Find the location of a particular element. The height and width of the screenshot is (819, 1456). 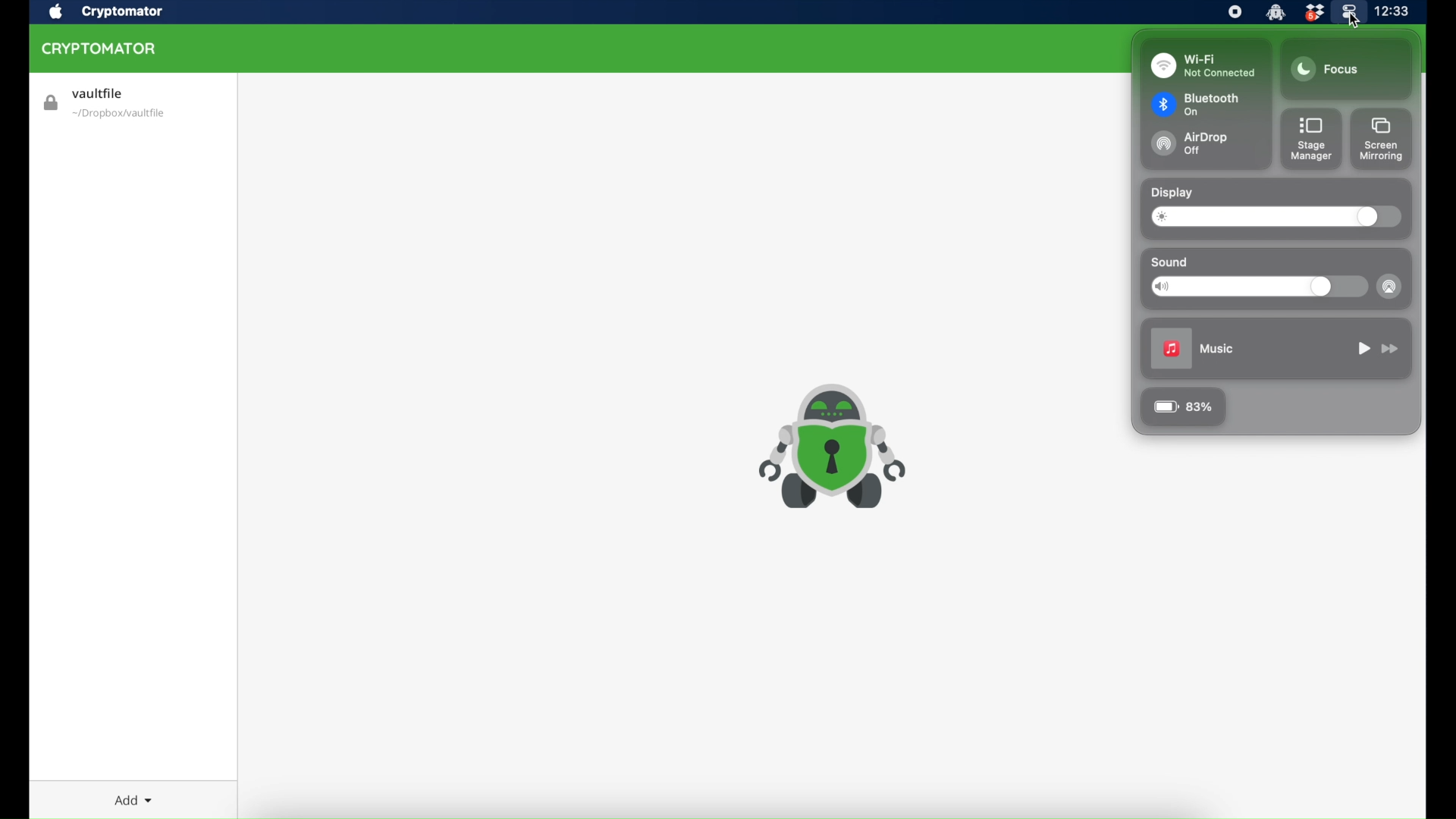

apple icon is located at coordinates (55, 11).